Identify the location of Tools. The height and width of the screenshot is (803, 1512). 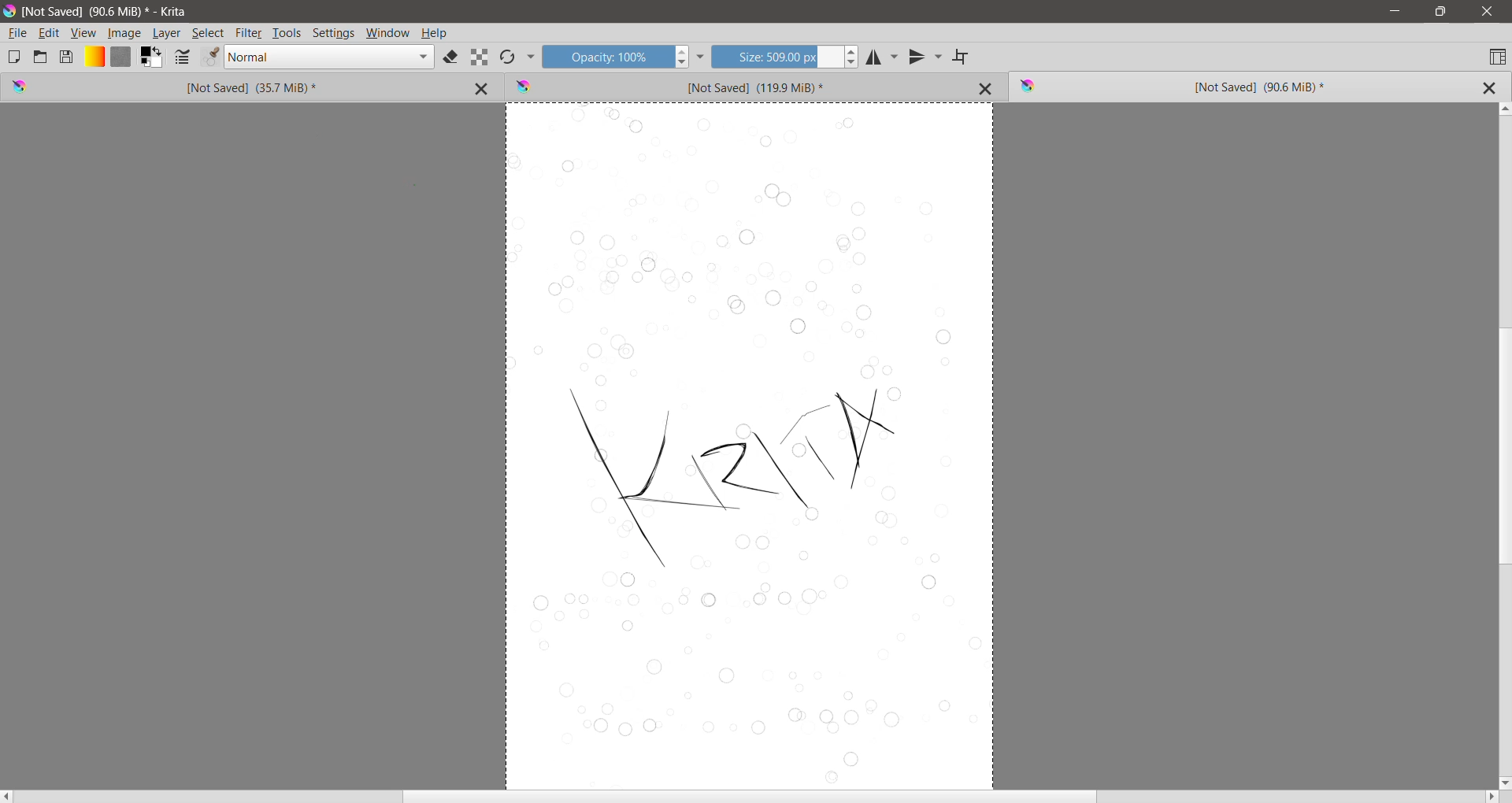
(287, 34).